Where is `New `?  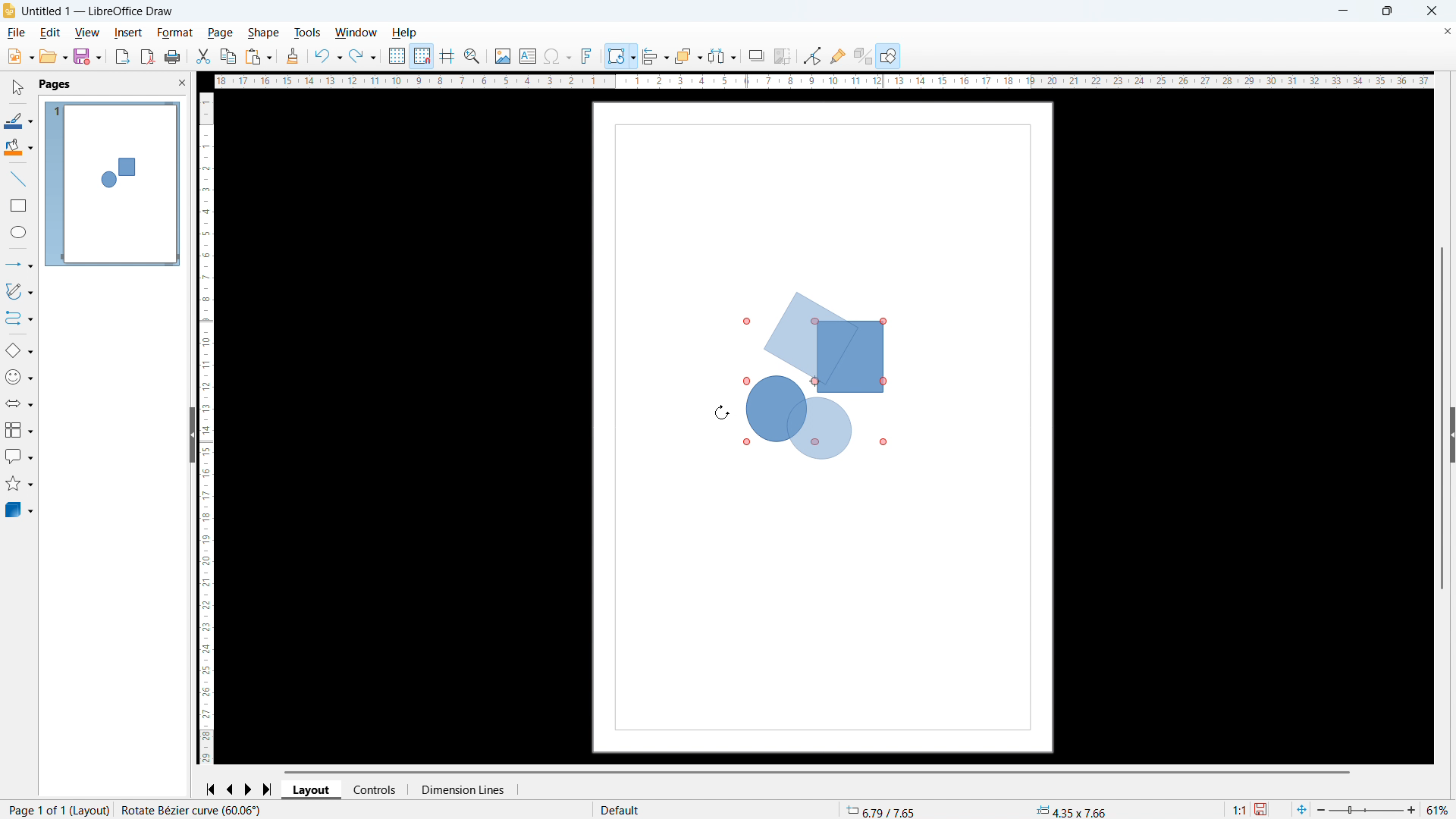
New  is located at coordinates (20, 57).